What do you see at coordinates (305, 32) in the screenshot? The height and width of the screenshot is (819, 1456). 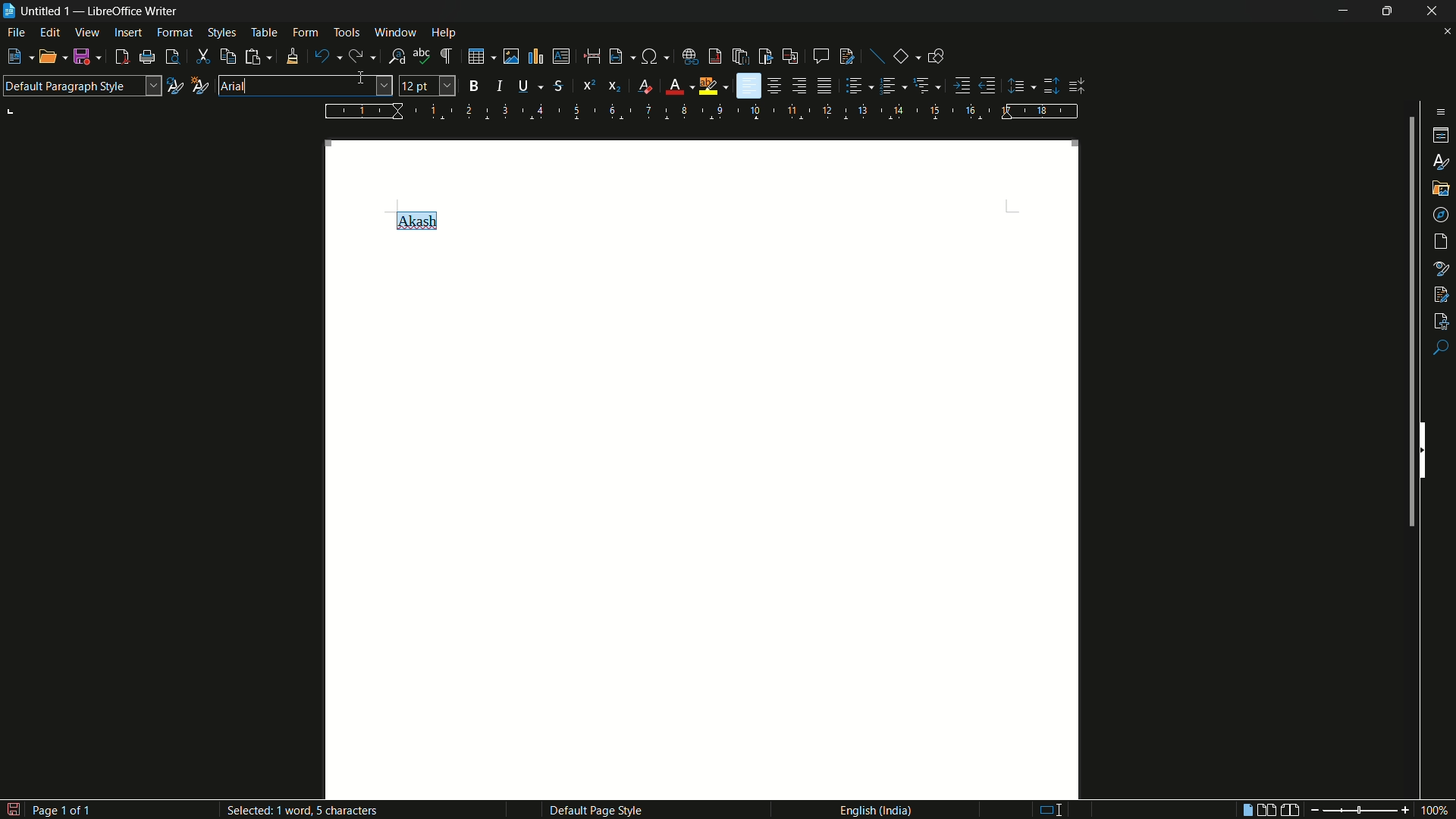 I see `form menu` at bounding box center [305, 32].